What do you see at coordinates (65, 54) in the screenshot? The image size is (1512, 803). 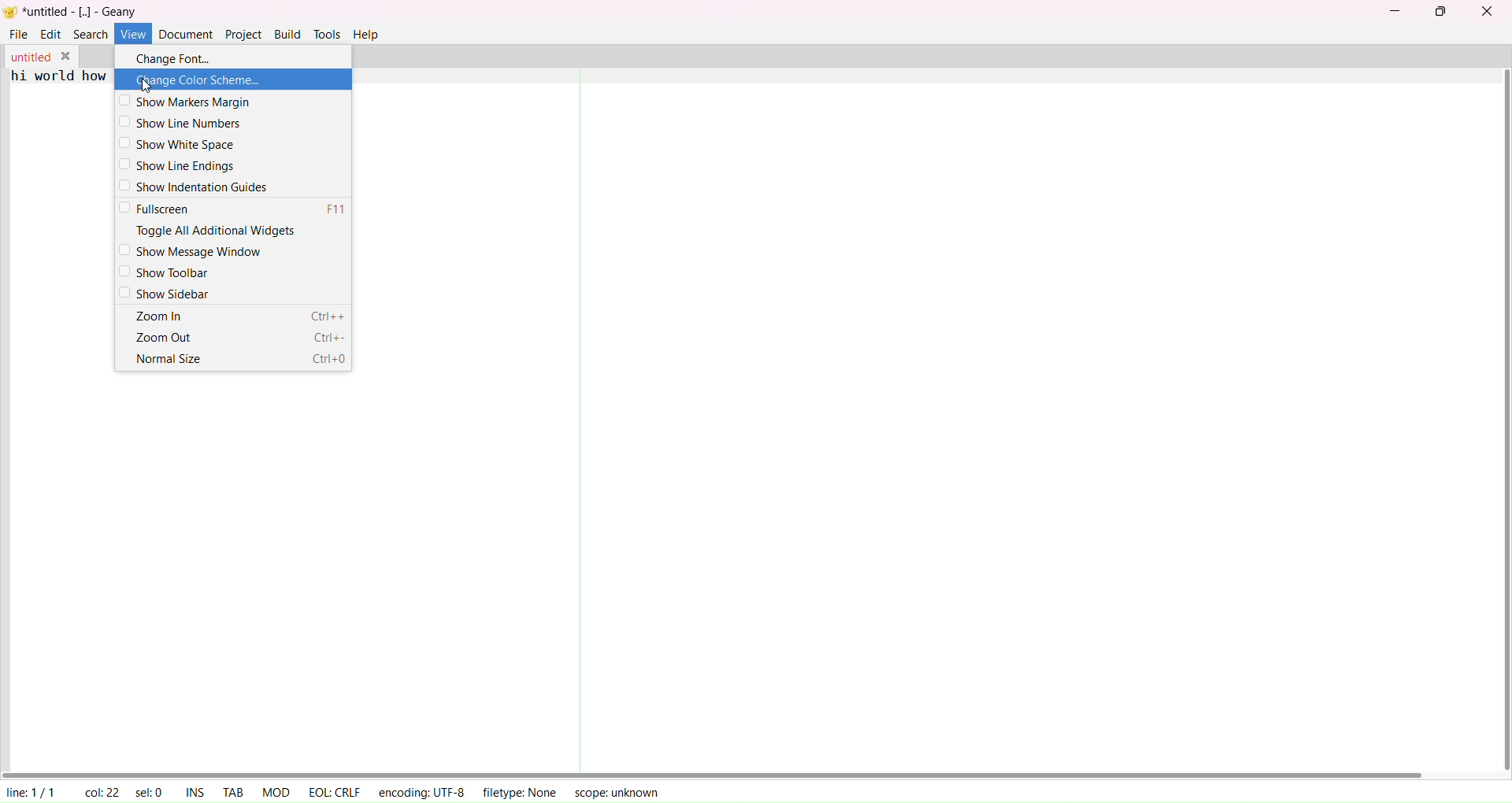 I see `close tab` at bounding box center [65, 54].